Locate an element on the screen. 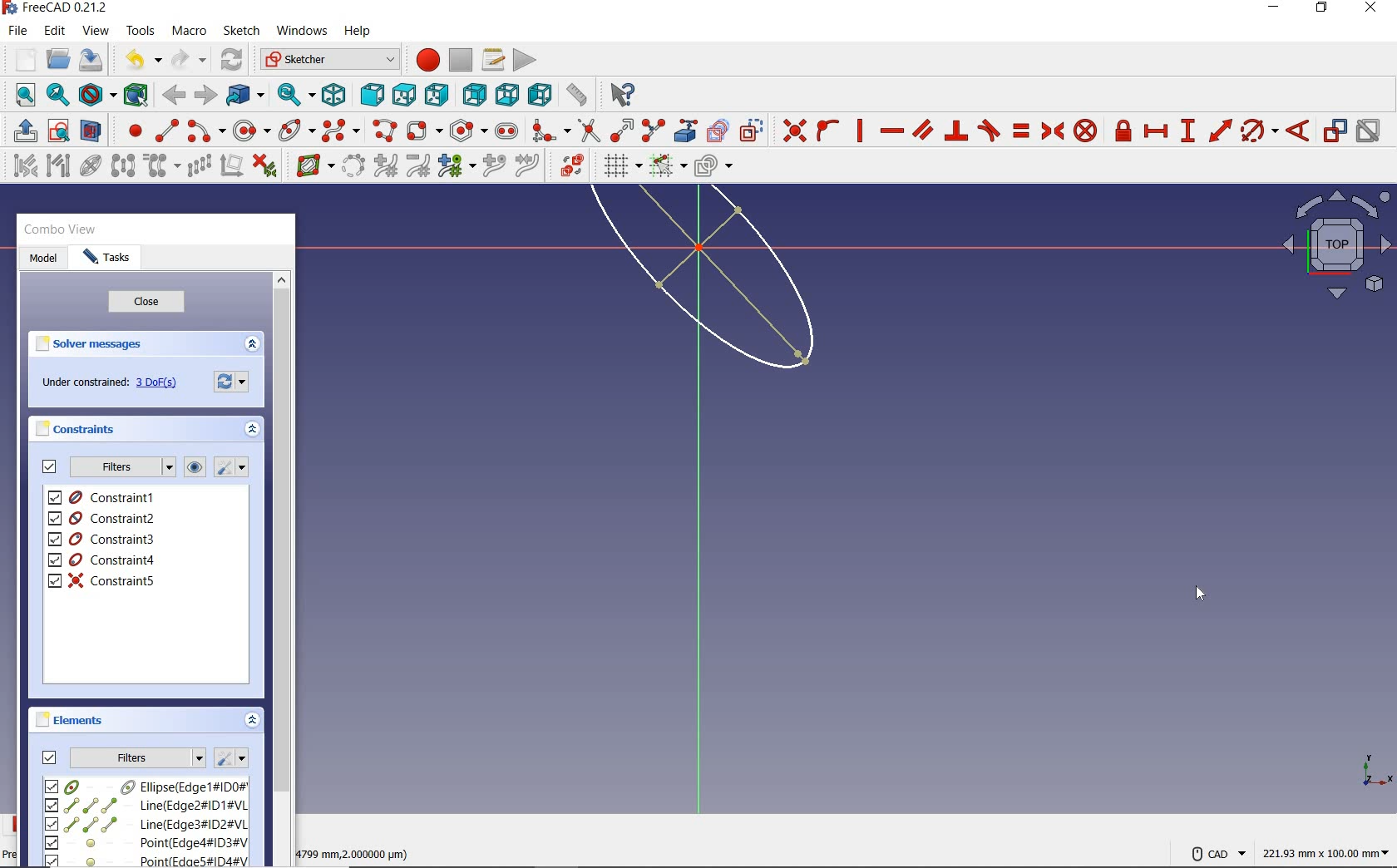  top is located at coordinates (403, 91).